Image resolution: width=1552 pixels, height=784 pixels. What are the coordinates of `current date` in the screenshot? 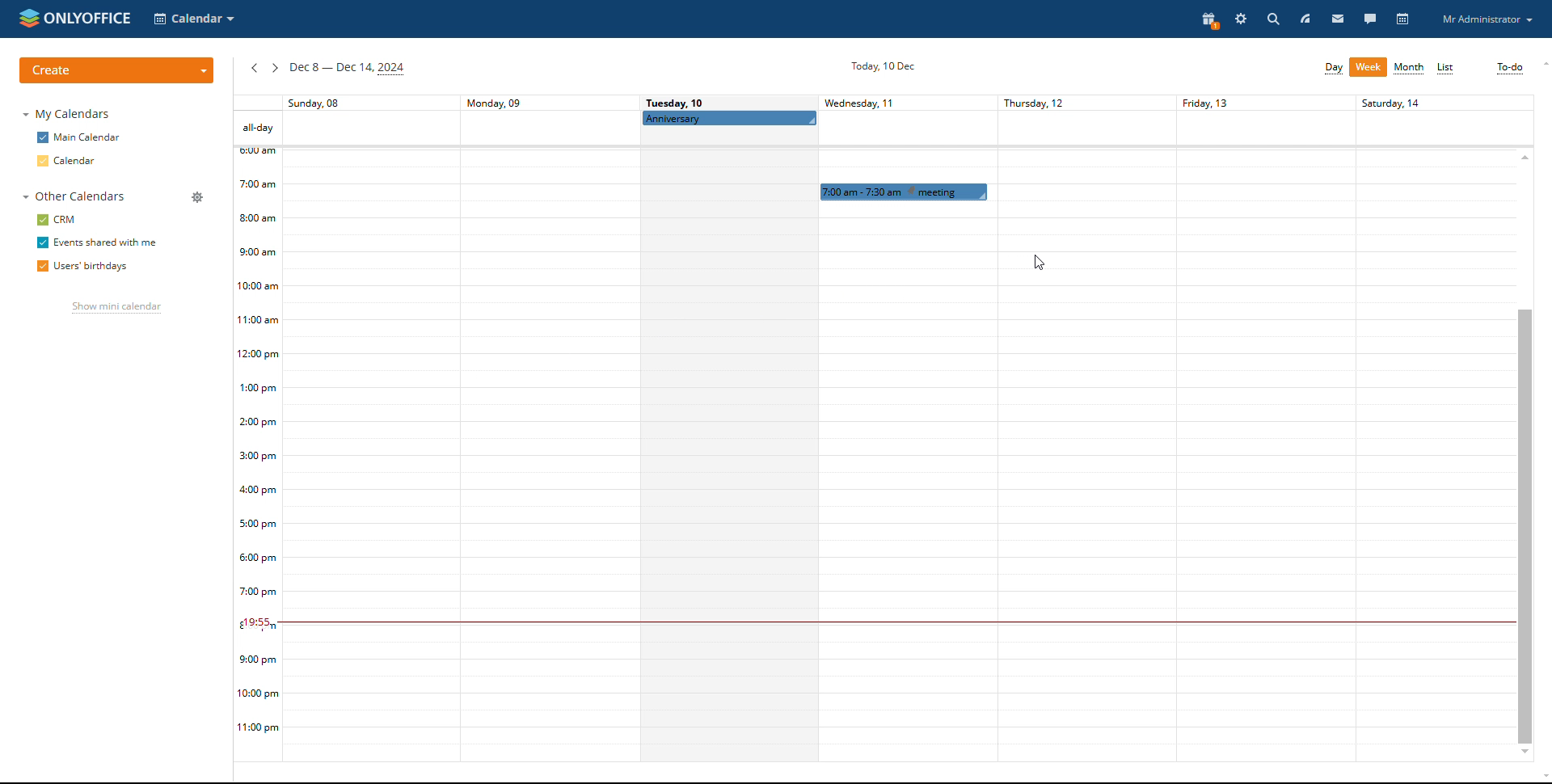 It's located at (879, 67).